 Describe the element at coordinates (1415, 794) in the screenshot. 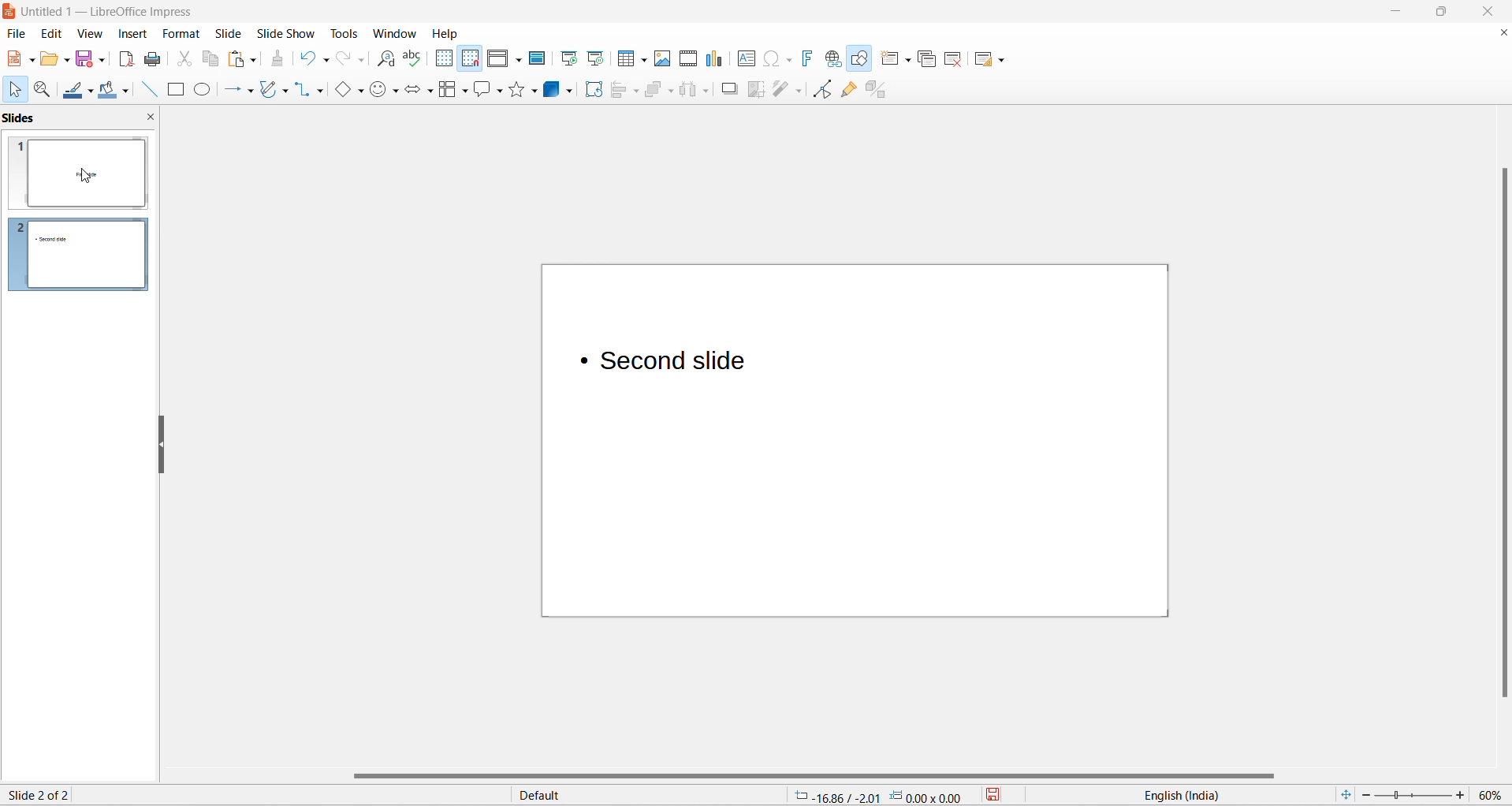

I see `zoom slider` at that location.